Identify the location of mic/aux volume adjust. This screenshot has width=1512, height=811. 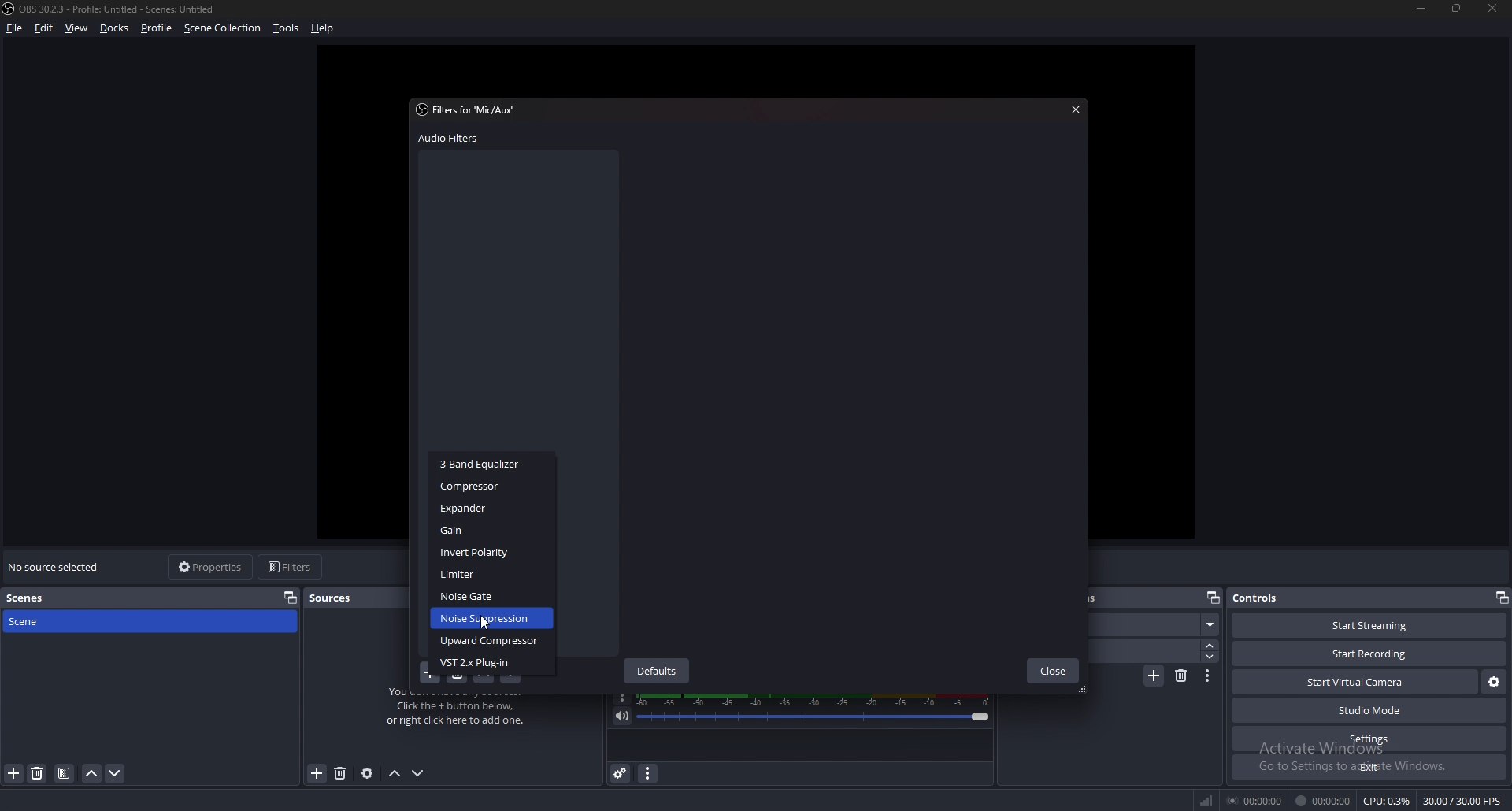
(816, 710).